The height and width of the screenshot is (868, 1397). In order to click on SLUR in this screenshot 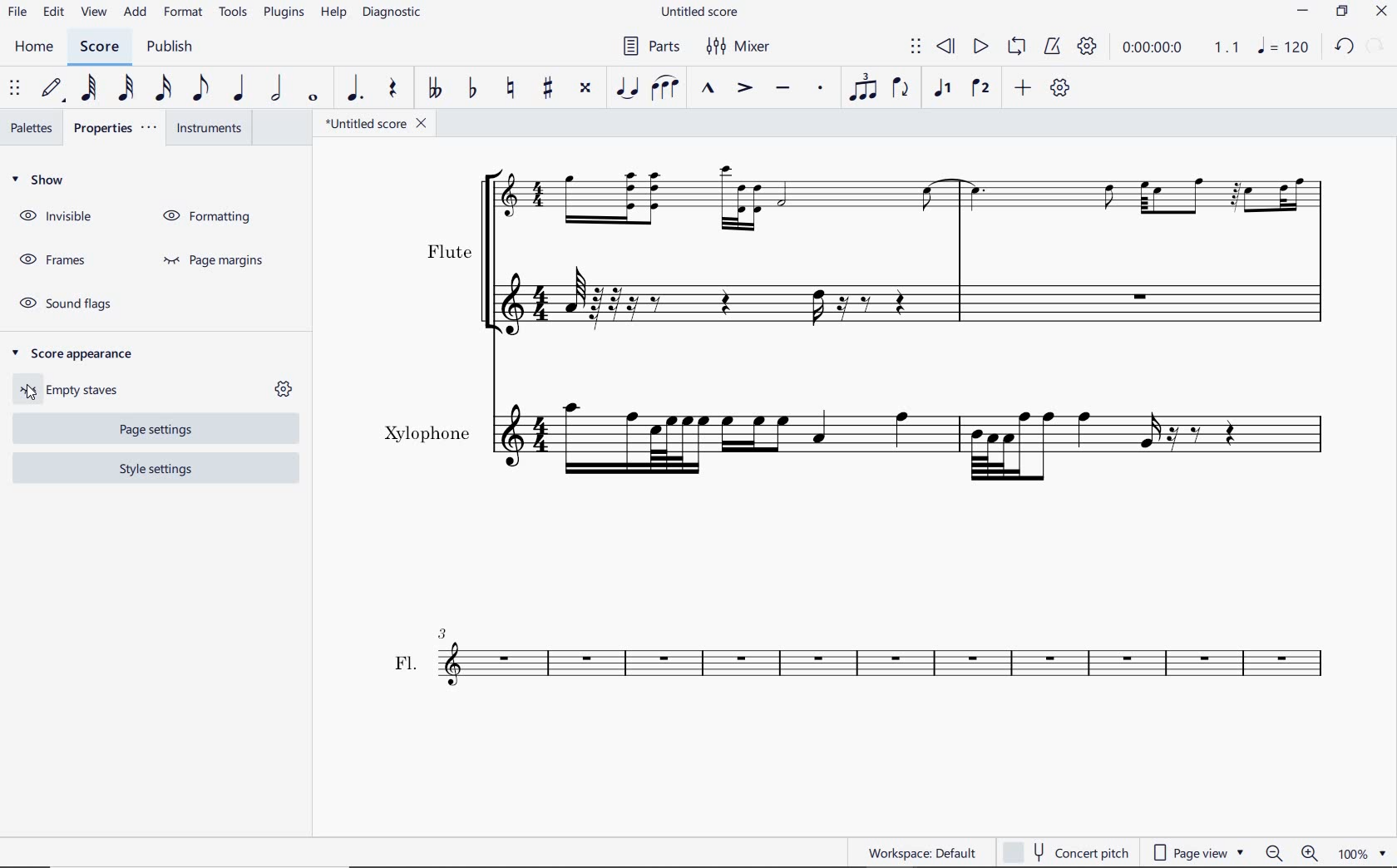, I will do `click(664, 86)`.